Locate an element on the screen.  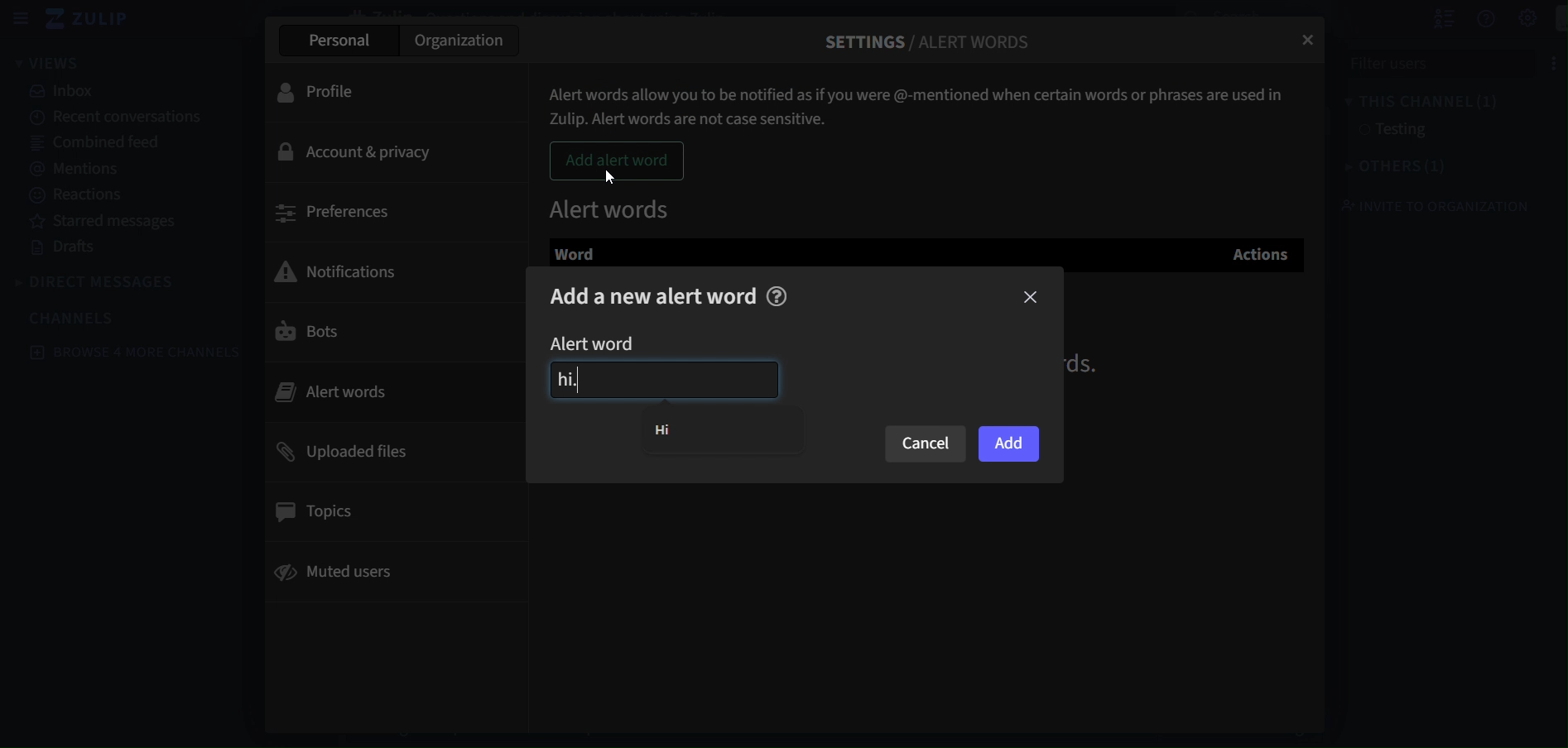
add is located at coordinates (1008, 443).